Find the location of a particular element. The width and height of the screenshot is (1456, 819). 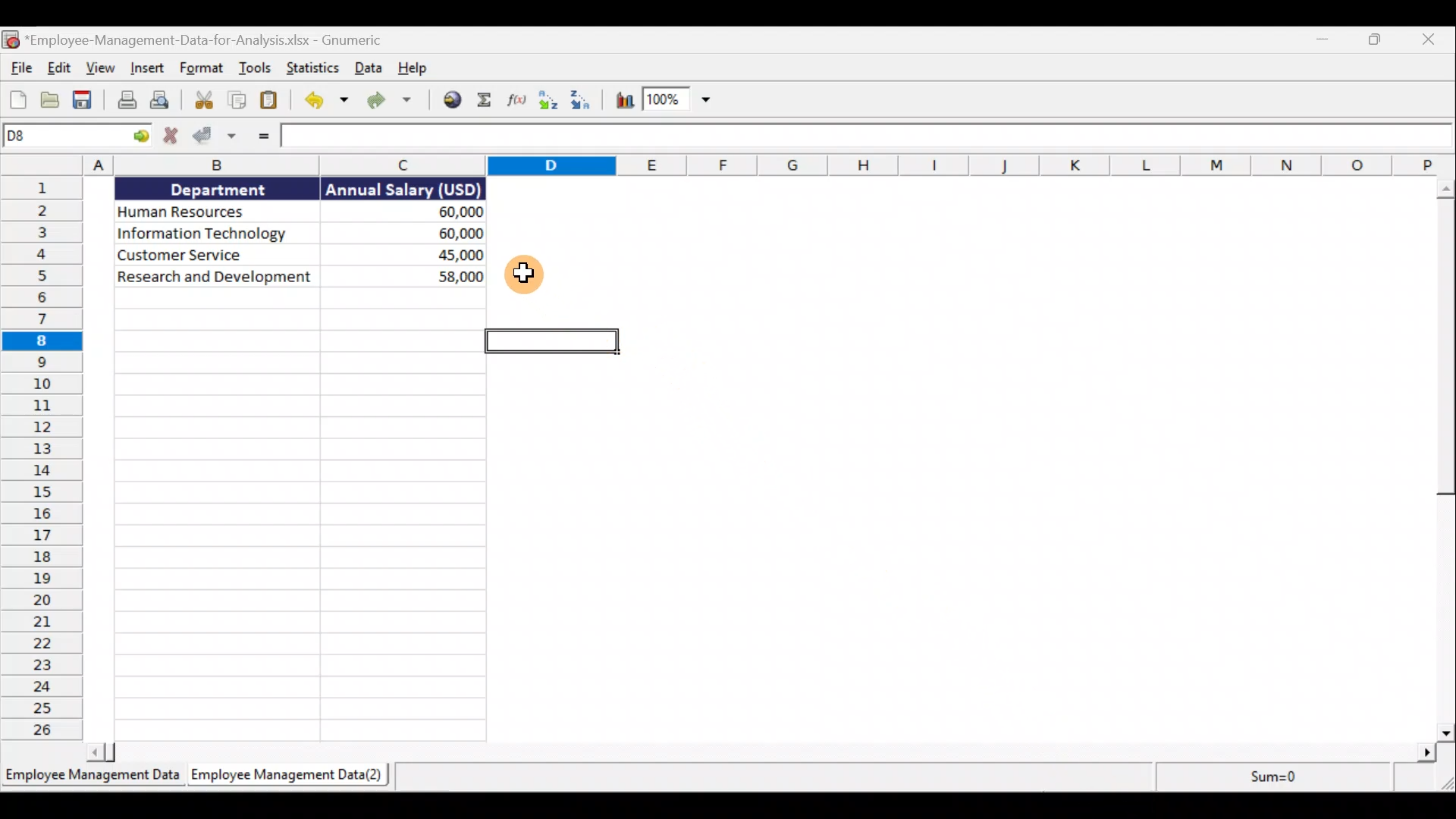

Maximise is located at coordinates (1381, 42).